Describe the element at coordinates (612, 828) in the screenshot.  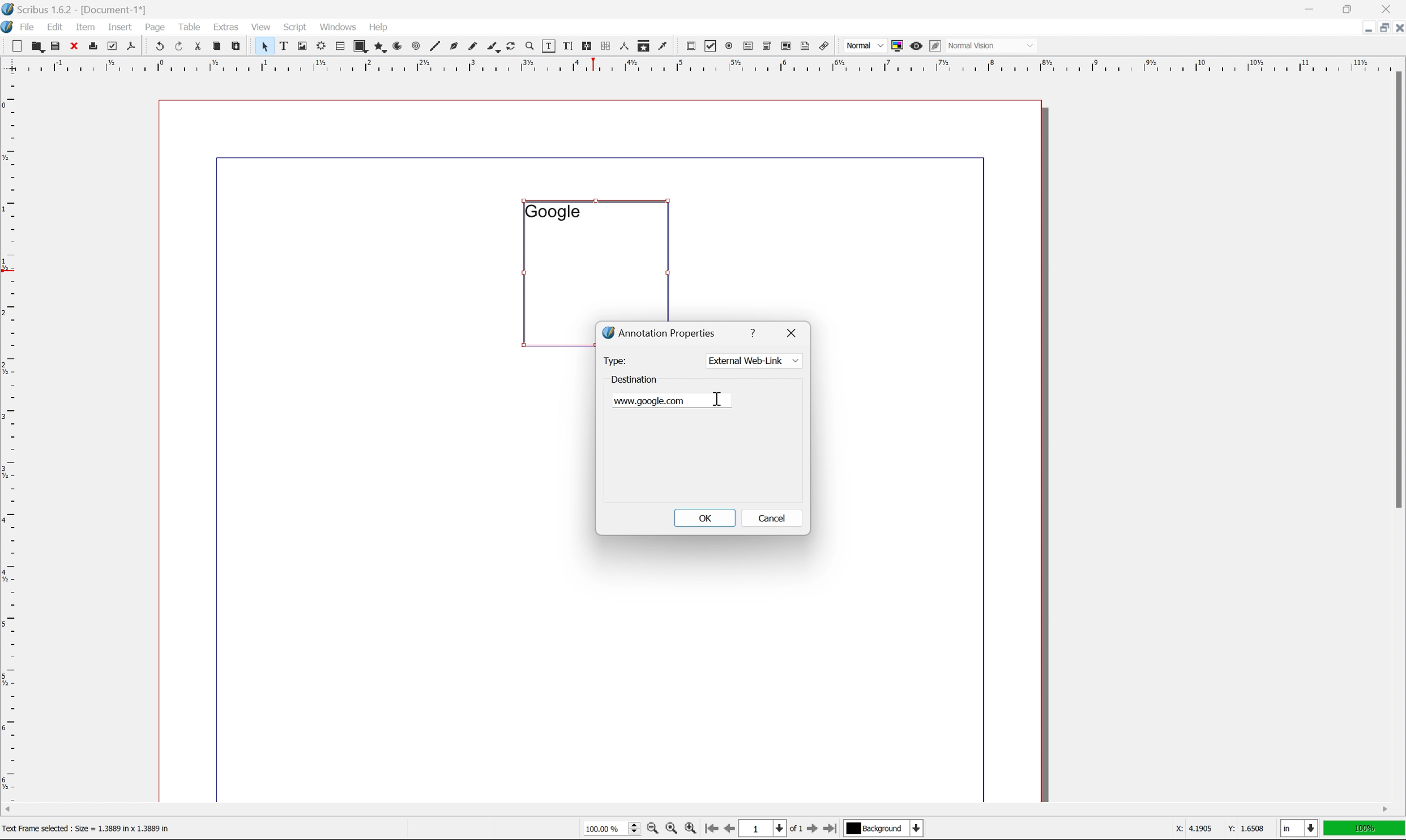
I see `select current zoom level` at that location.